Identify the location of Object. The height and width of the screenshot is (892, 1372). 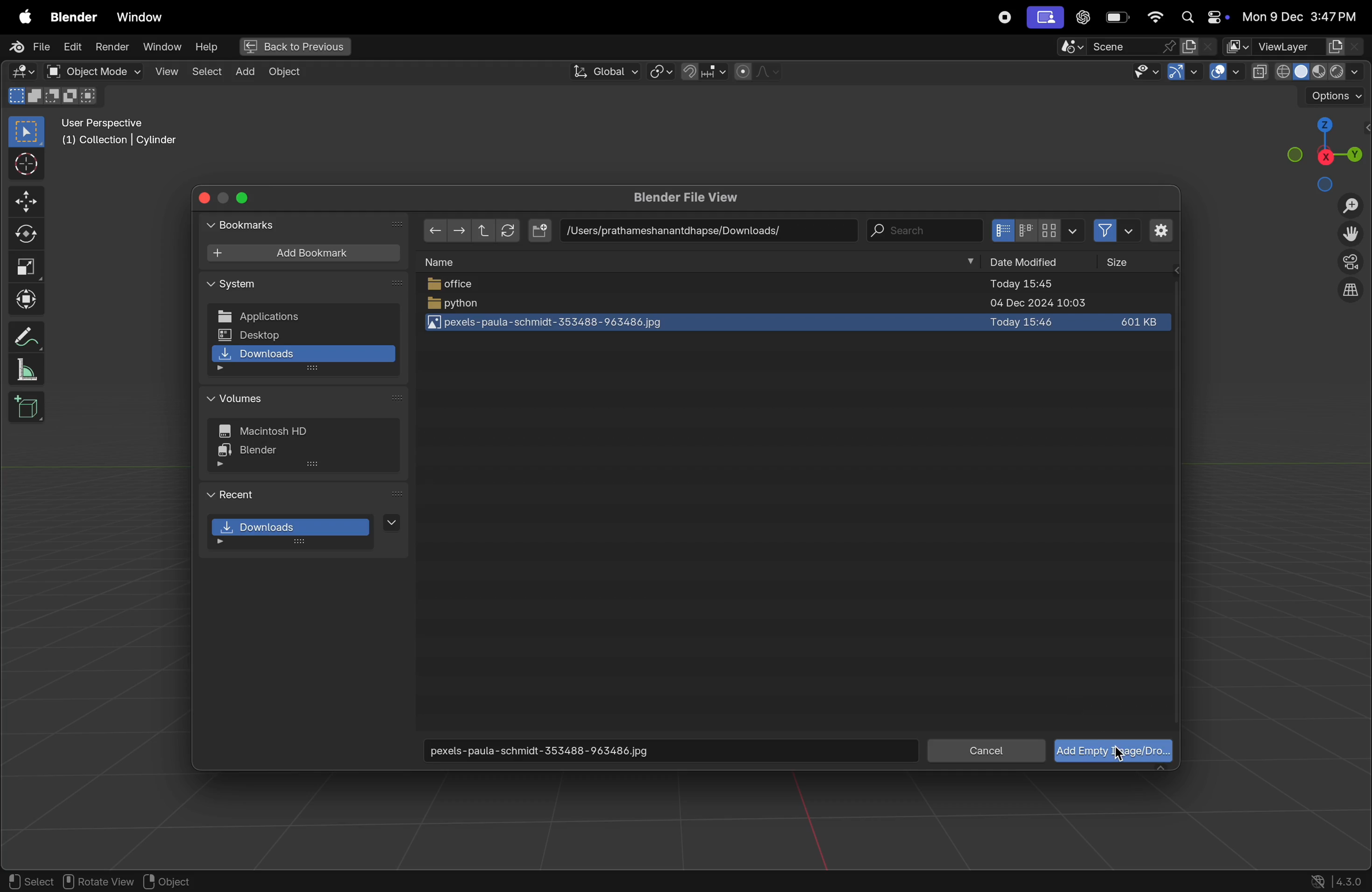
(291, 72).